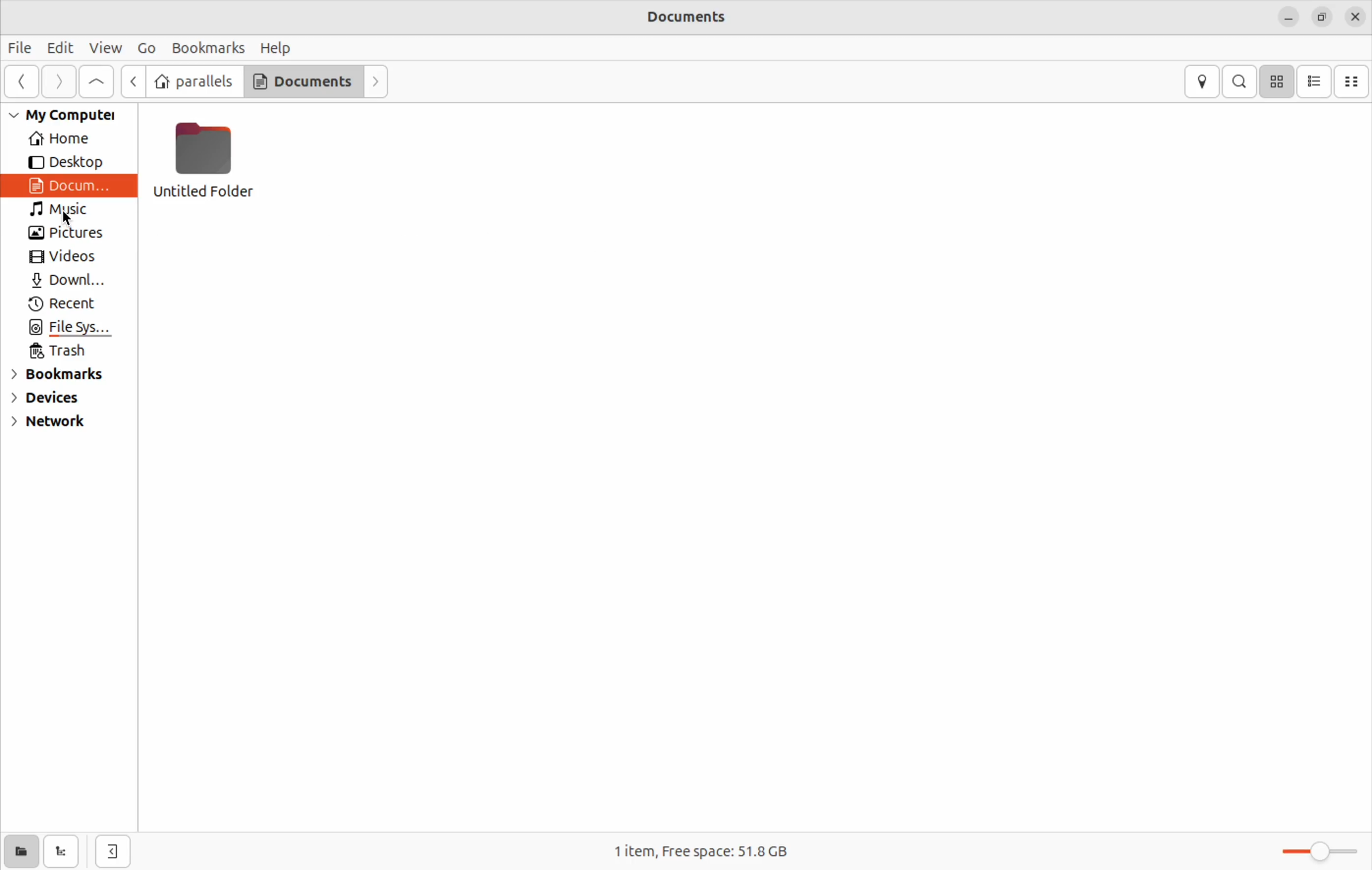 The image size is (1372, 870). What do you see at coordinates (64, 352) in the screenshot?
I see `Trash` at bounding box center [64, 352].